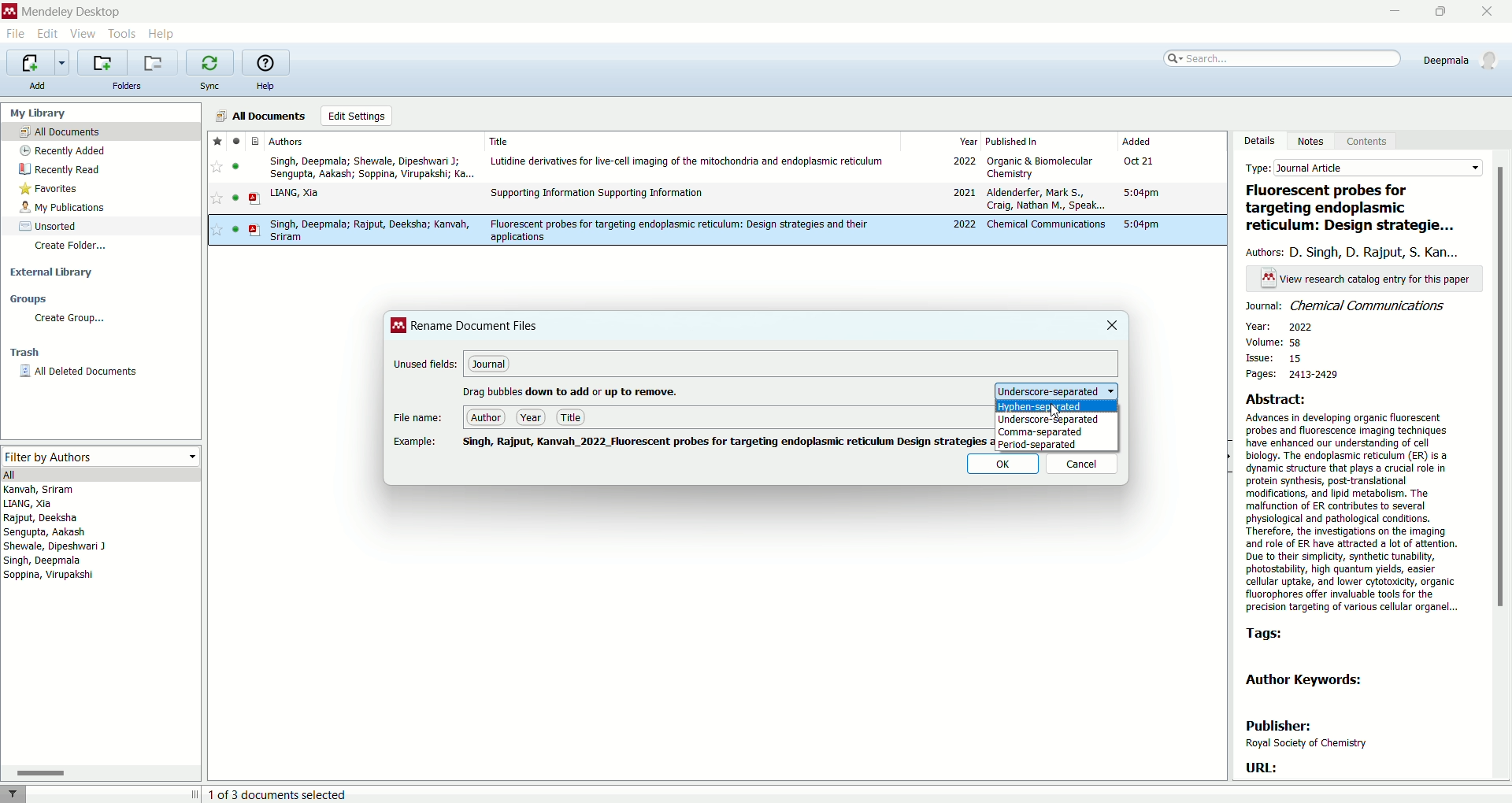  I want to click on sync, so click(212, 84).